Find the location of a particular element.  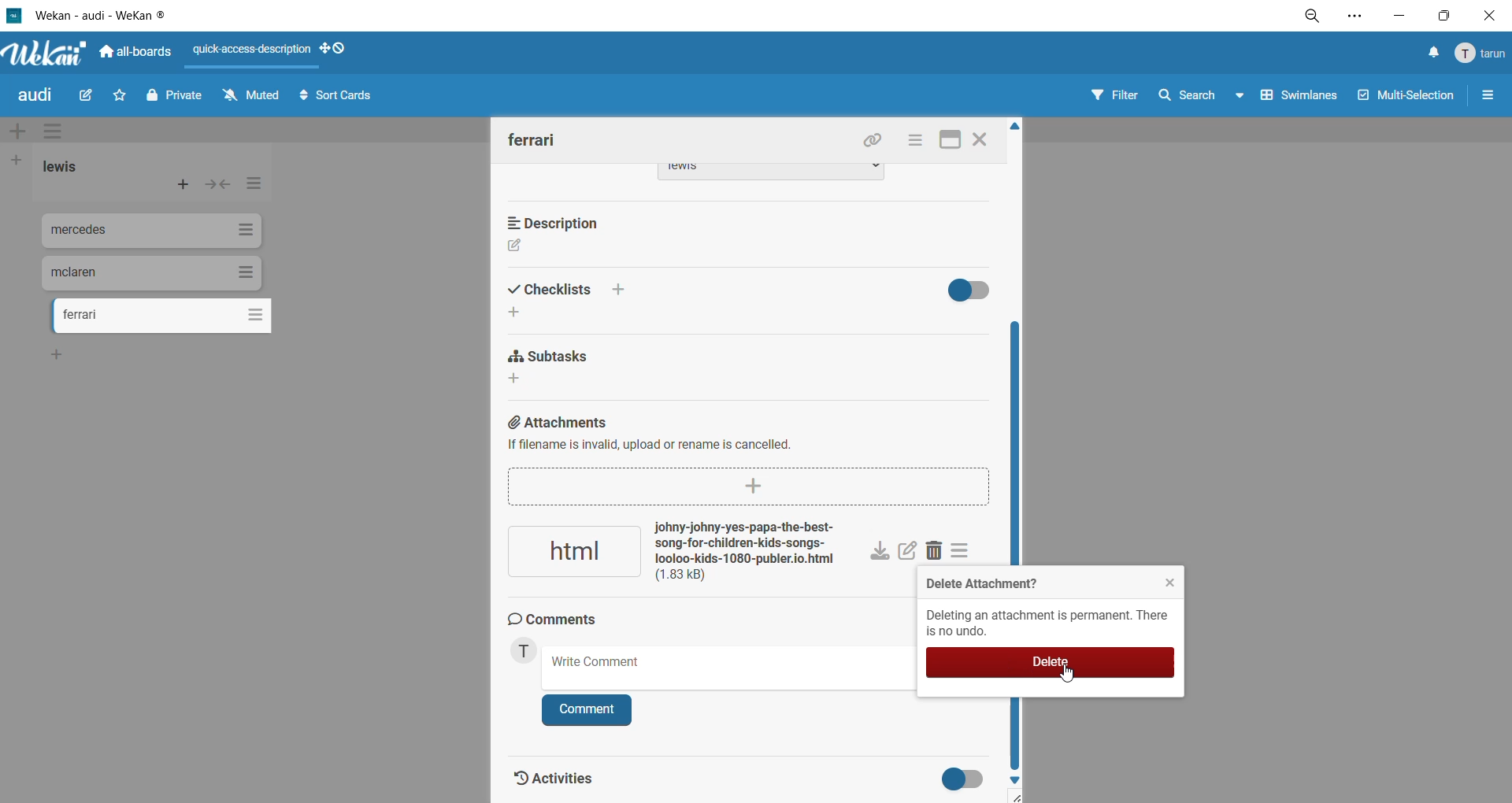

cards is located at coordinates (154, 233).